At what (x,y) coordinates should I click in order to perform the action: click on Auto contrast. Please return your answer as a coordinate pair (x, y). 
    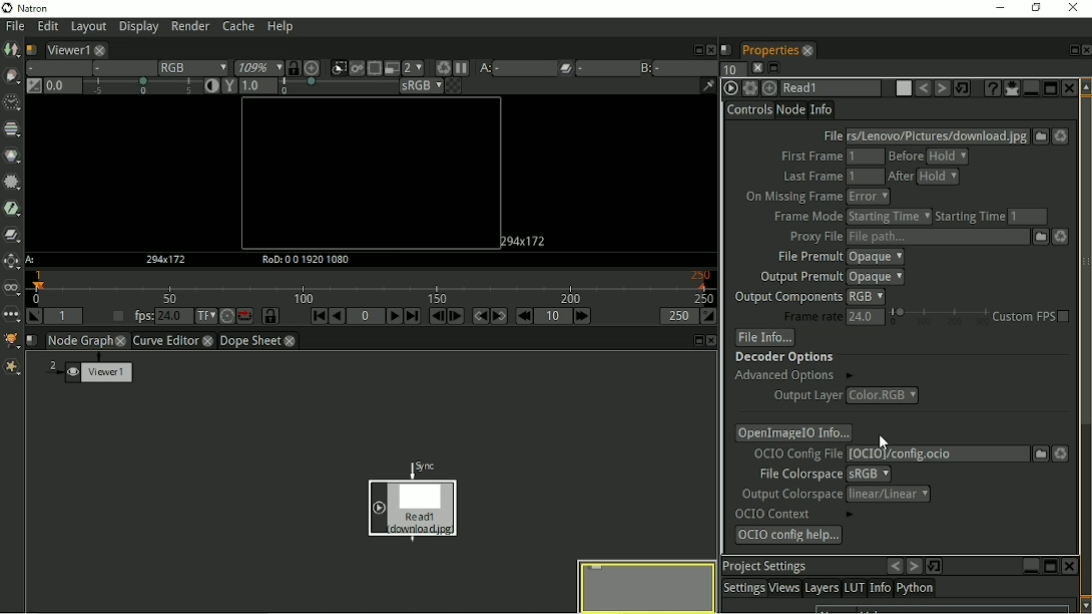
    Looking at the image, I should click on (207, 87).